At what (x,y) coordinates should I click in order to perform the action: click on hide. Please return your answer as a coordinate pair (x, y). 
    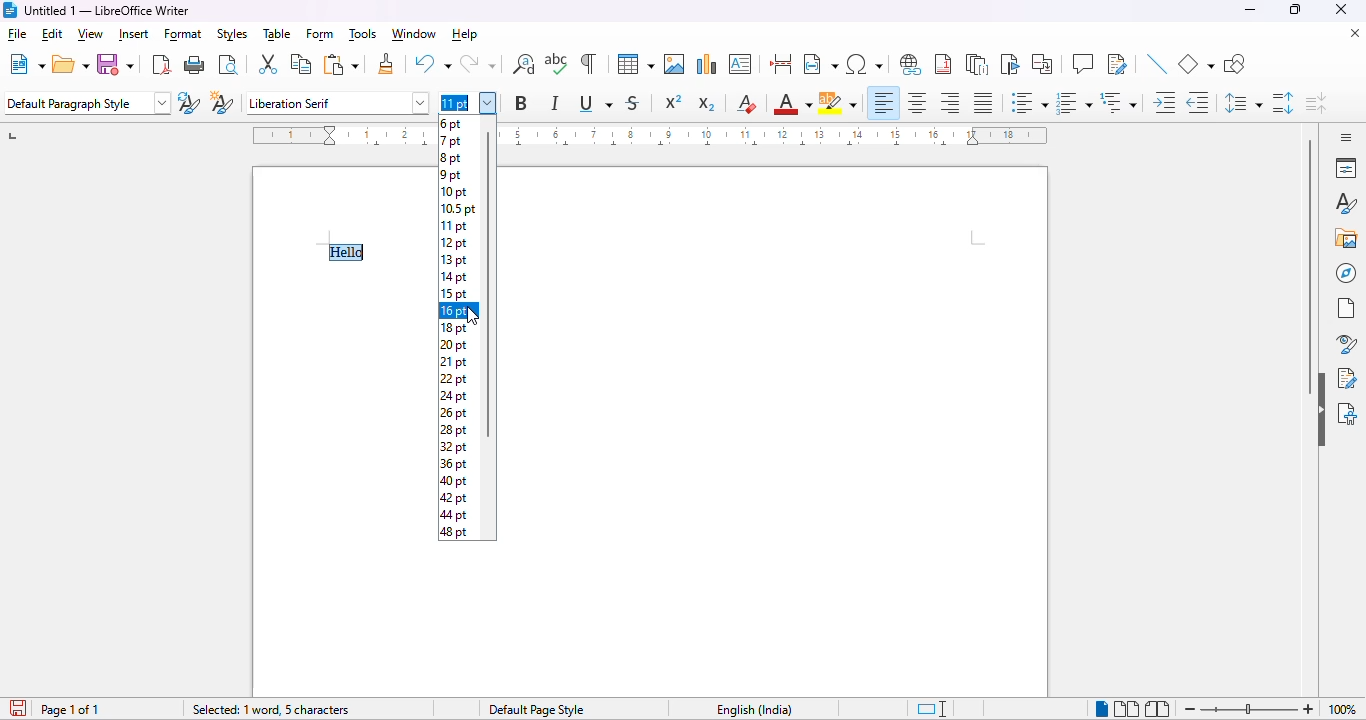
    Looking at the image, I should click on (1321, 409).